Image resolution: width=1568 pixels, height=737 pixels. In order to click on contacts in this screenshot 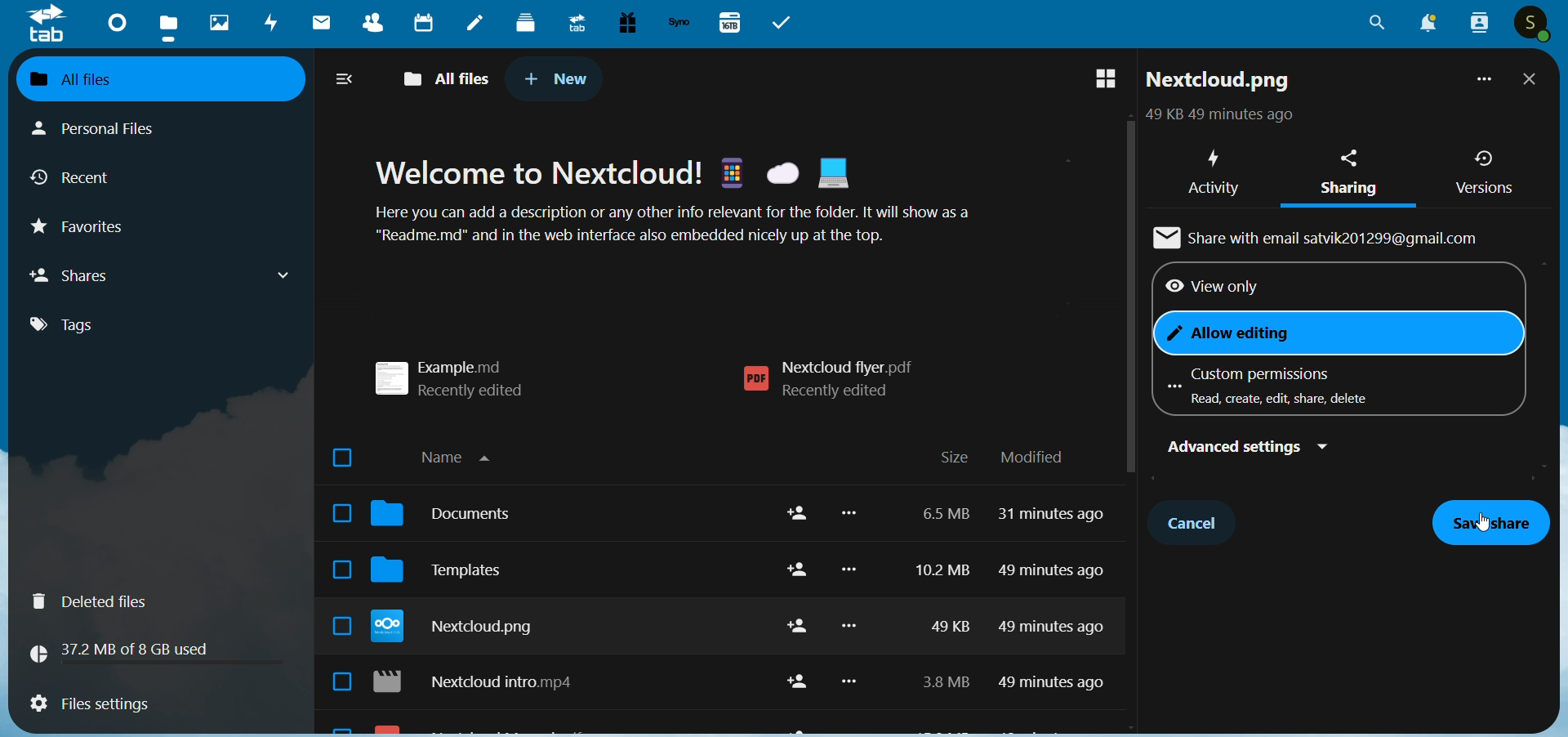, I will do `click(367, 25)`.